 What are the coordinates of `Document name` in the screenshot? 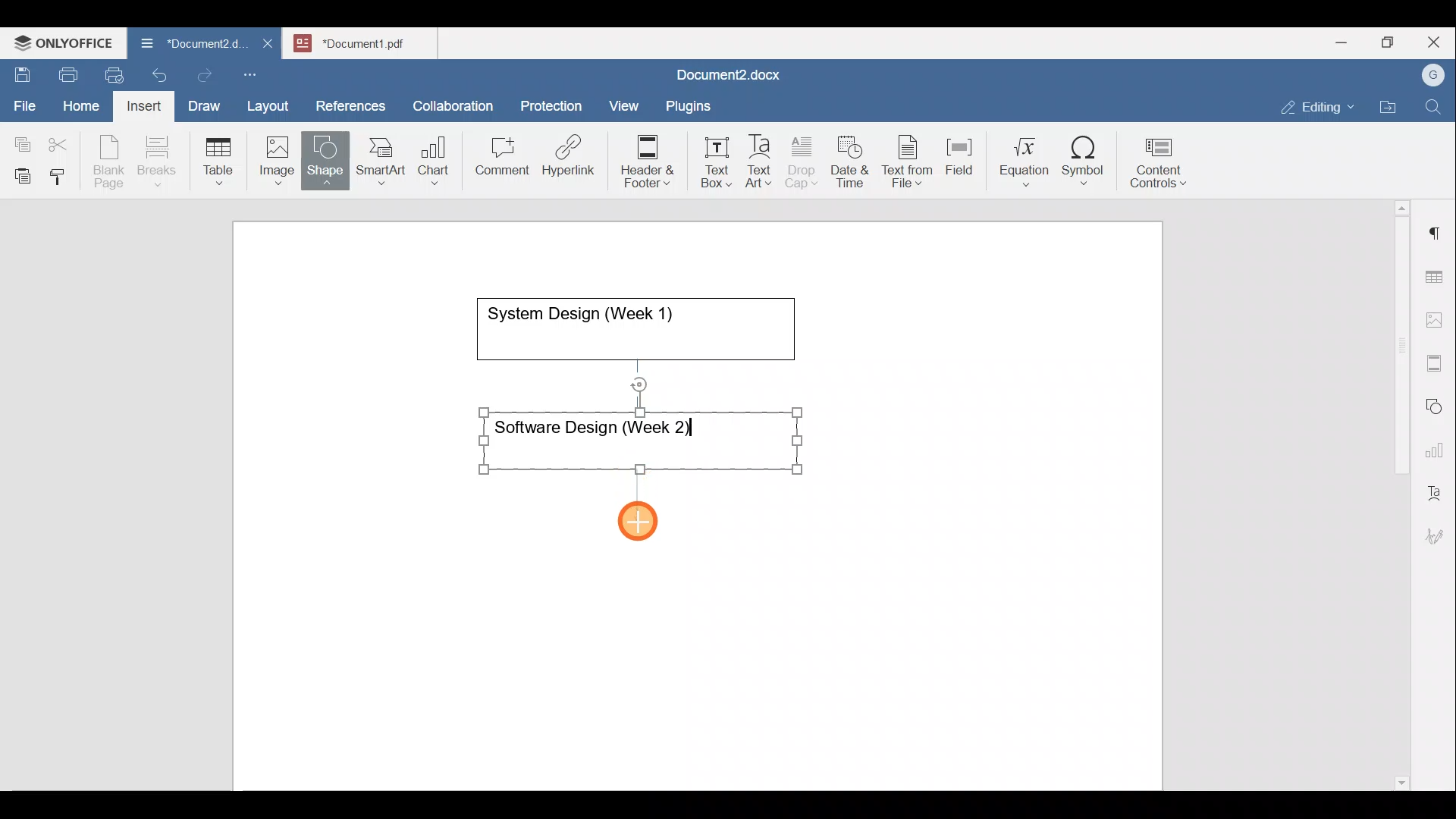 It's located at (725, 77).